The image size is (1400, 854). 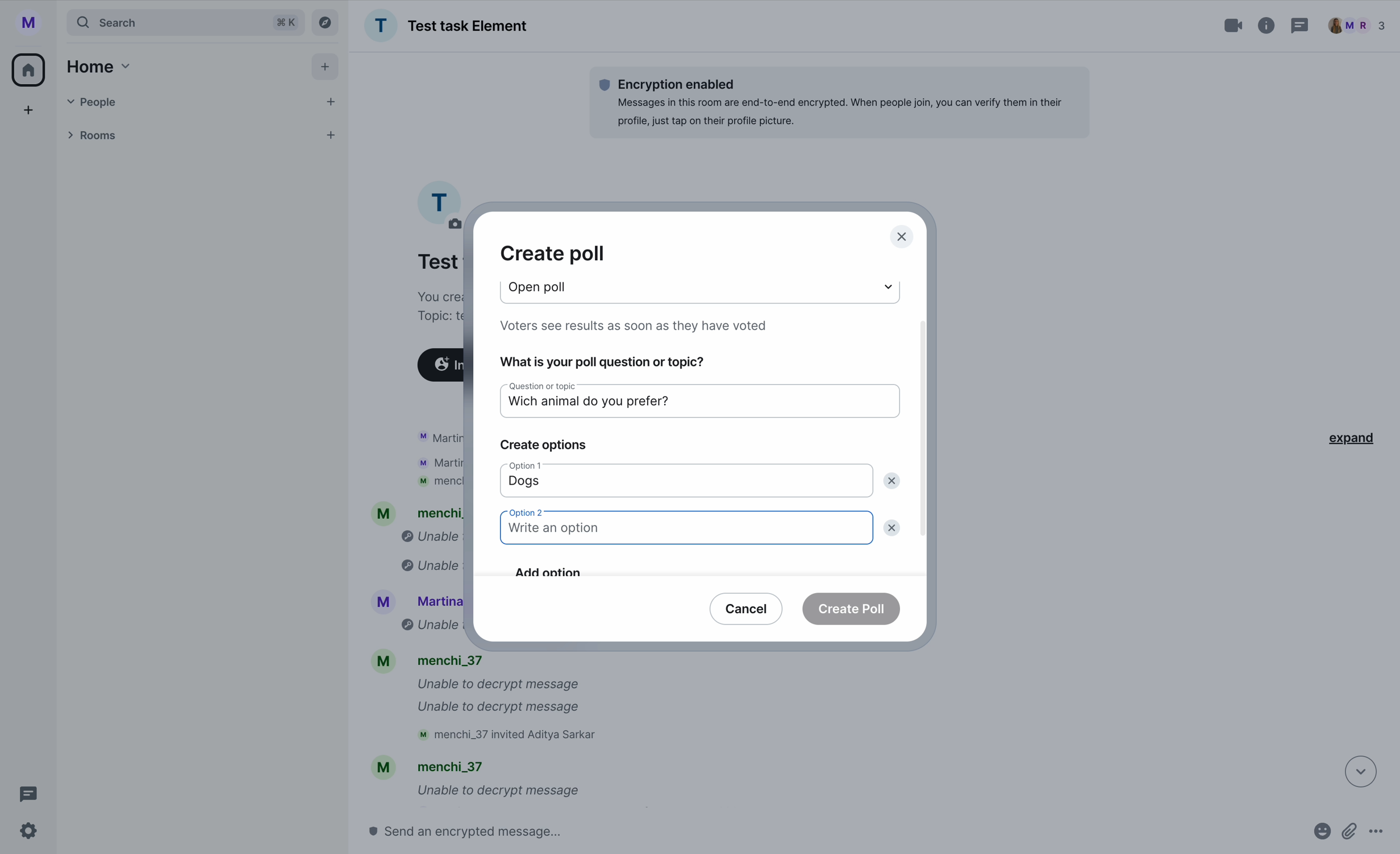 I want to click on create options, so click(x=549, y=445).